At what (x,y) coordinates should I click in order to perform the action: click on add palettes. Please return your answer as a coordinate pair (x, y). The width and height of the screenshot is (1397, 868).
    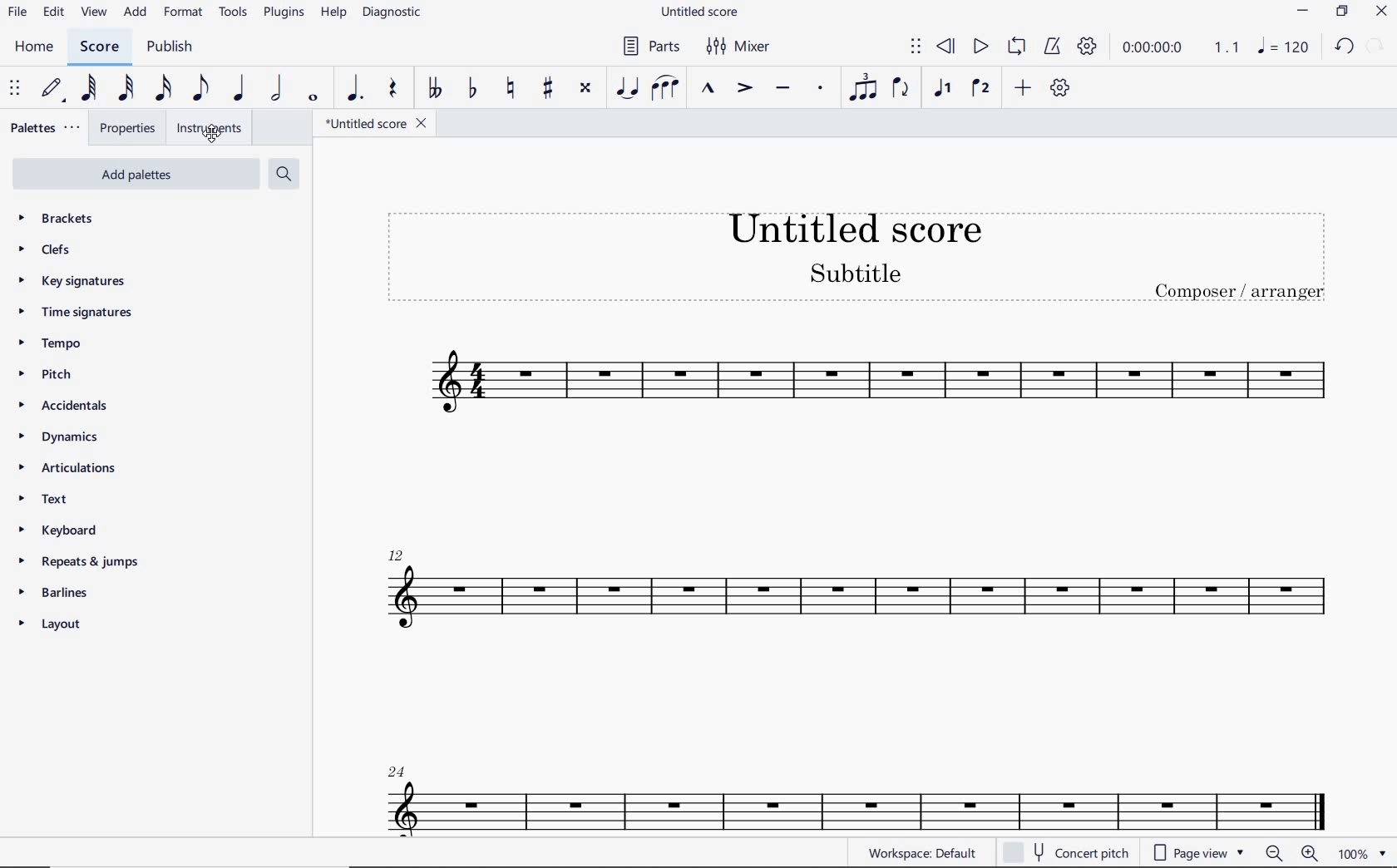
    Looking at the image, I should click on (135, 175).